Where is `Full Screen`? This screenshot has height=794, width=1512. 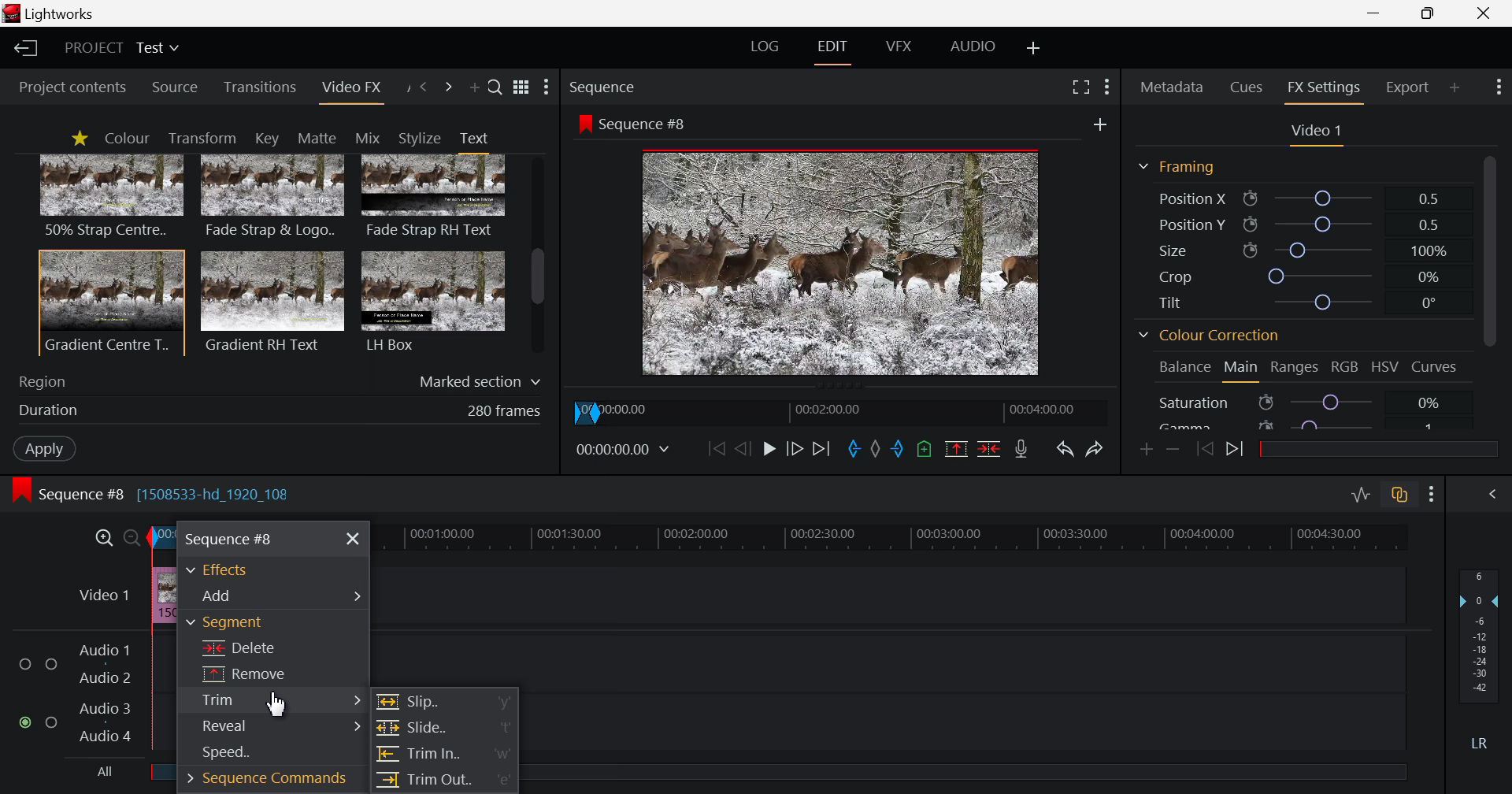 Full Screen is located at coordinates (1082, 87).